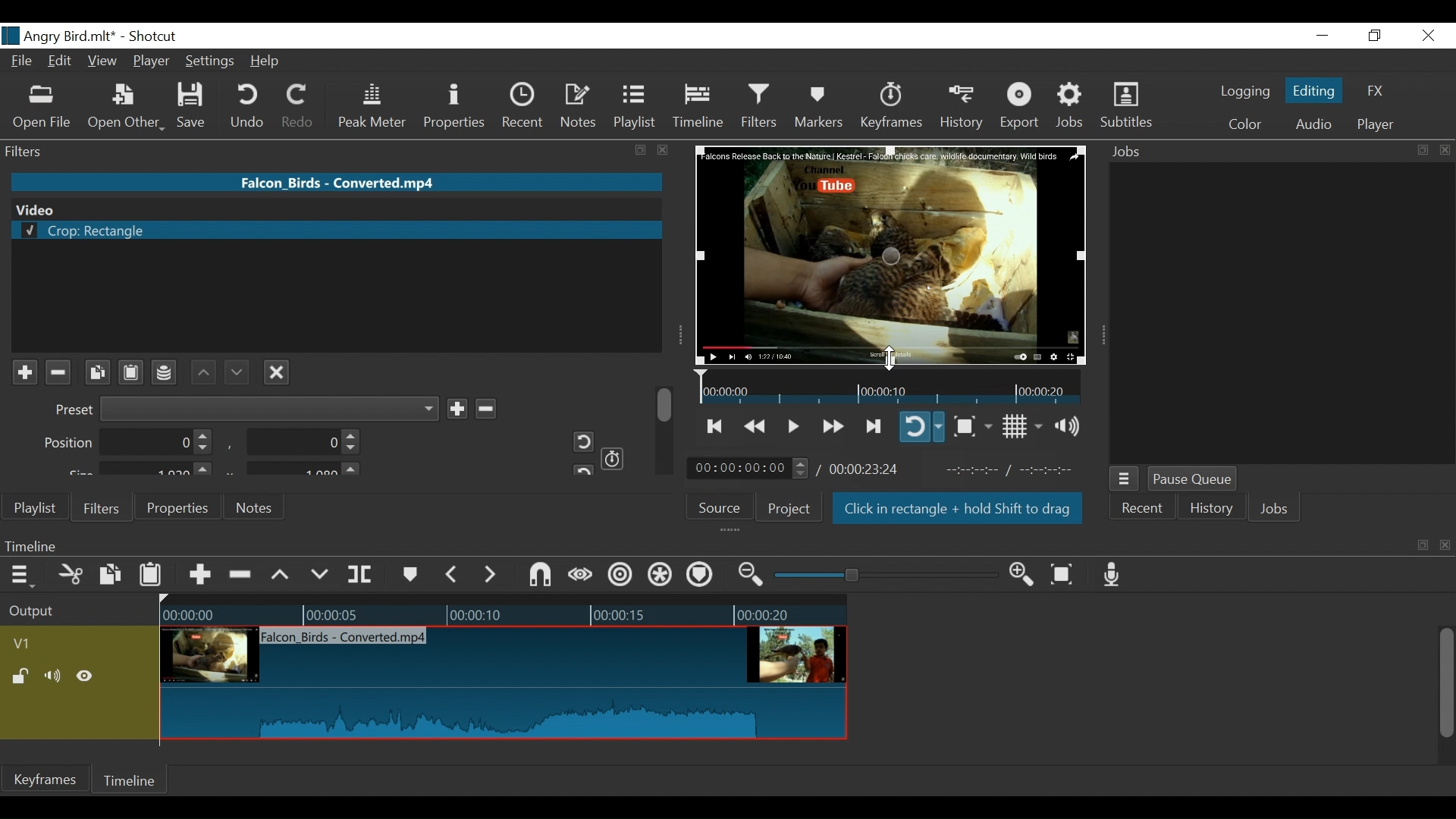 The height and width of the screenshot is (819, 1456). What do you see at coordinates (725, 506) in the screenshot?
I see `Source` at bounding box center [725, 506].